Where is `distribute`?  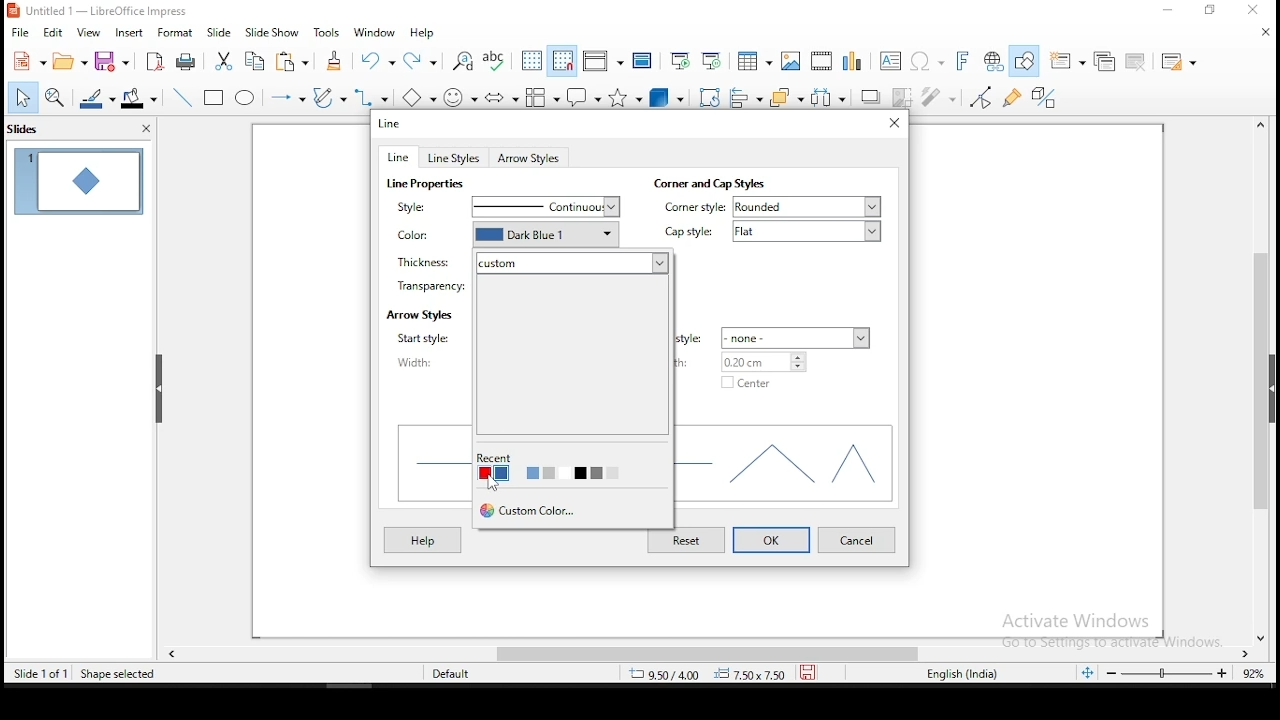 distribute is located at coordinates (829, 96).